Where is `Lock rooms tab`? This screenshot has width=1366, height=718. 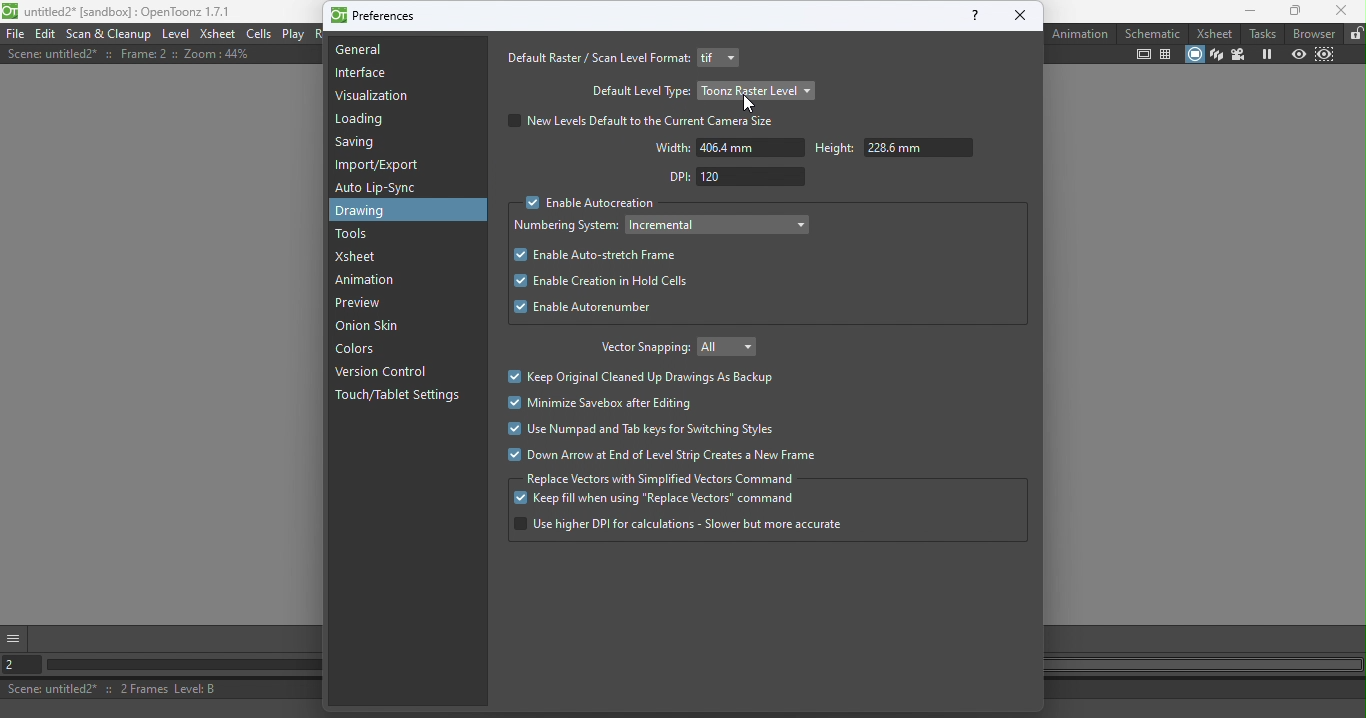 Lock rooms tab is located at coordinates (1354, 34).